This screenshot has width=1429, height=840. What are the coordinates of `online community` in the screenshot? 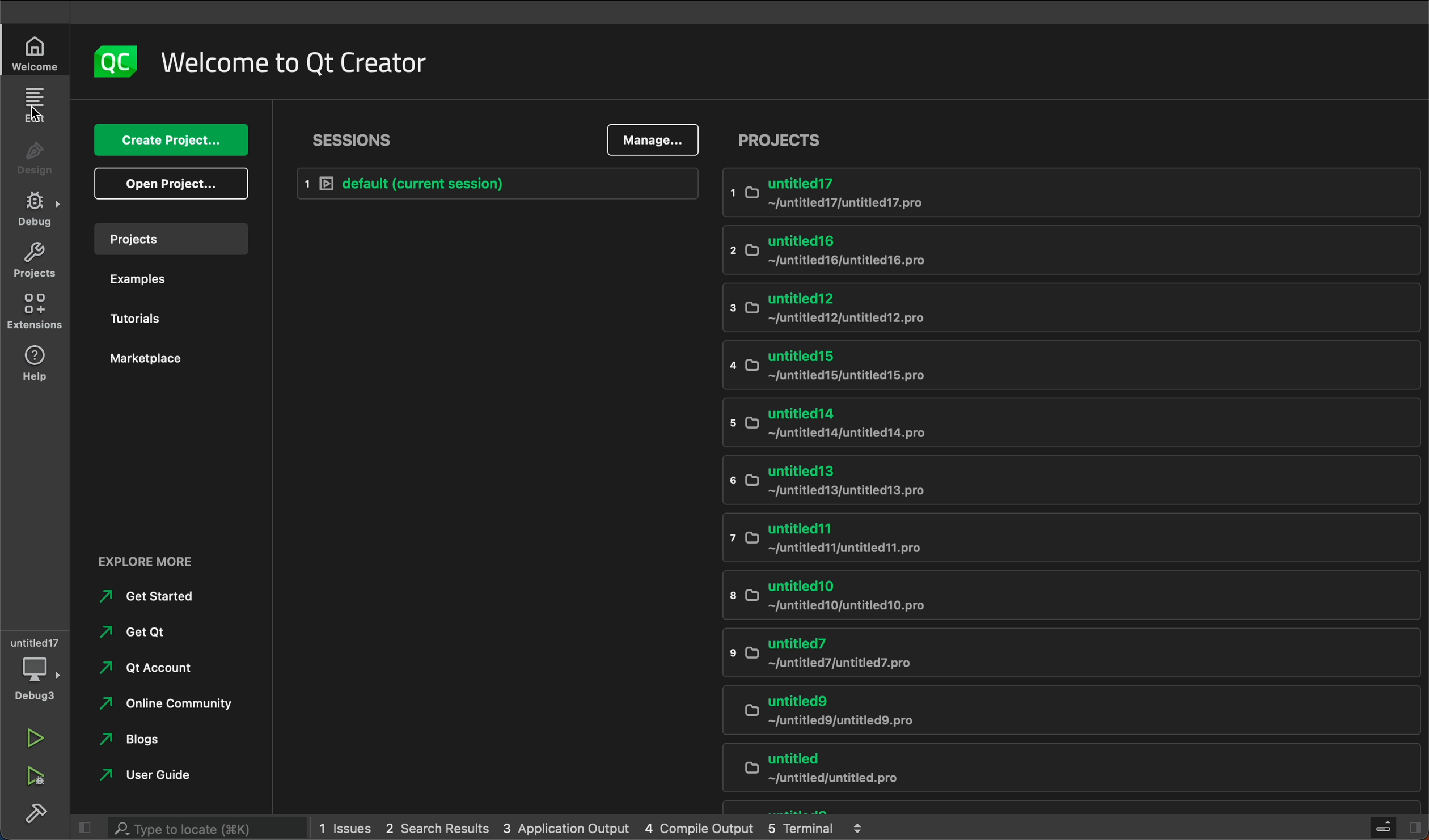 It's located at (178, 701).